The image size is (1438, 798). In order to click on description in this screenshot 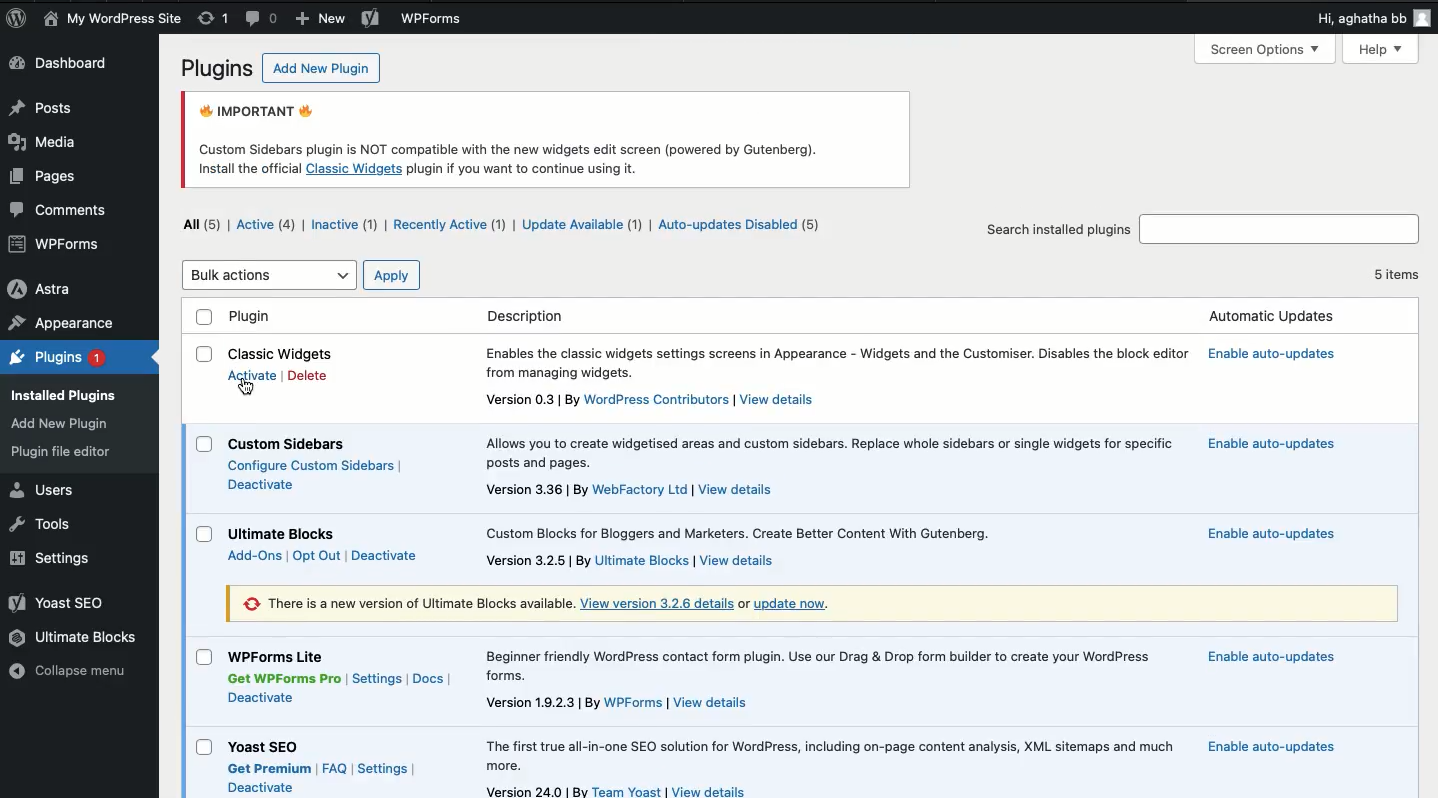, I will do `click(834, 663)`.